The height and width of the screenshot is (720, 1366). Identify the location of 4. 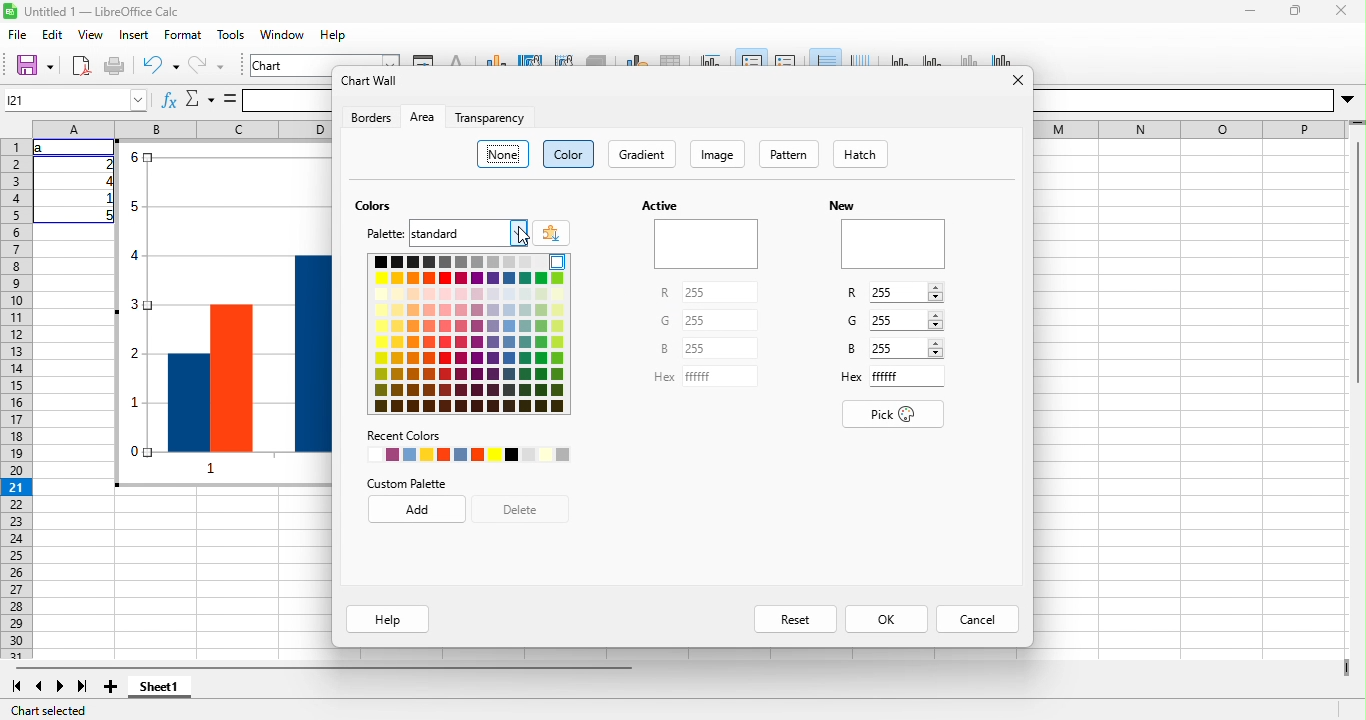
(106, 181).